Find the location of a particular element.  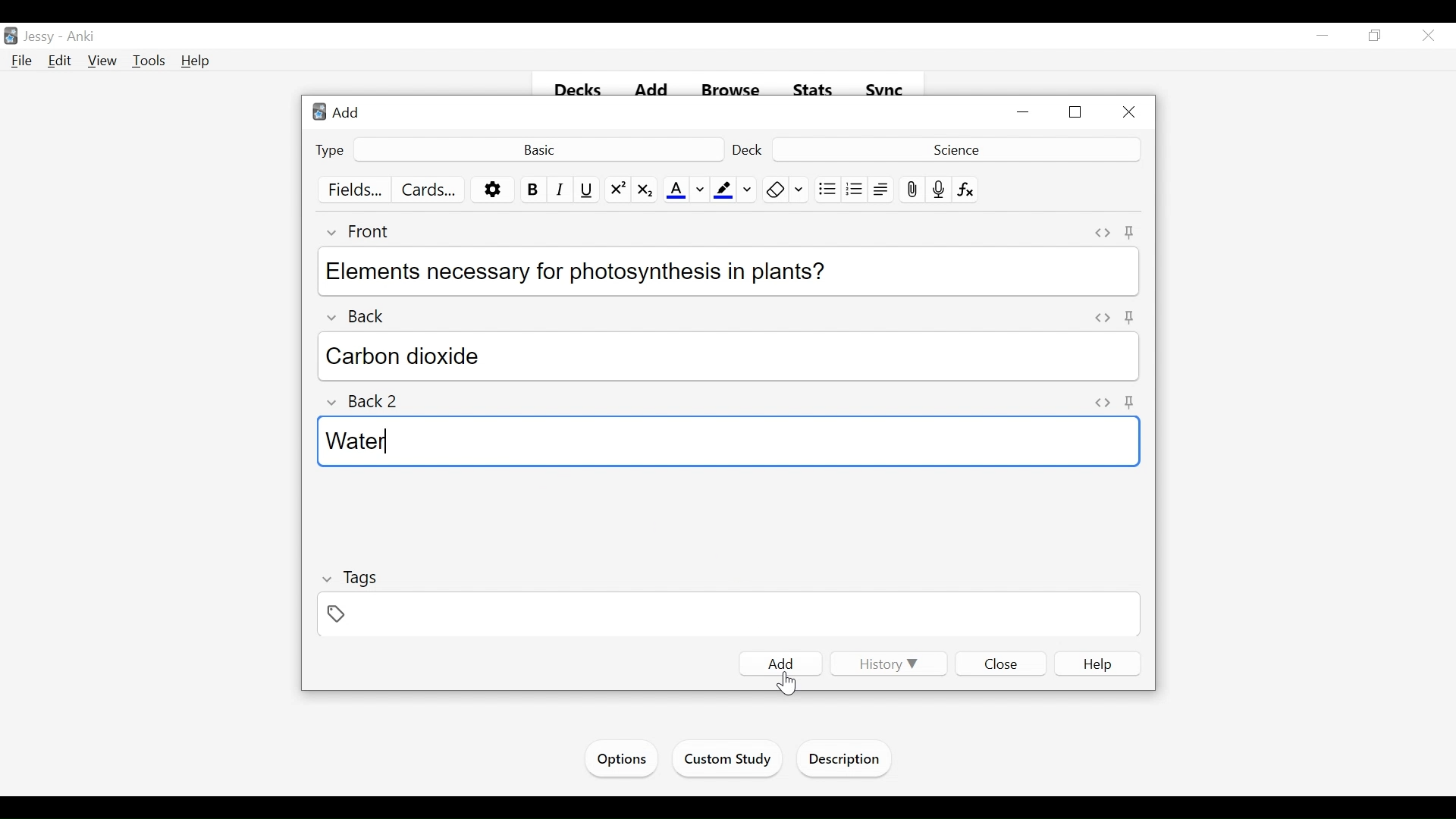

File is located at coordinates (22, 61).